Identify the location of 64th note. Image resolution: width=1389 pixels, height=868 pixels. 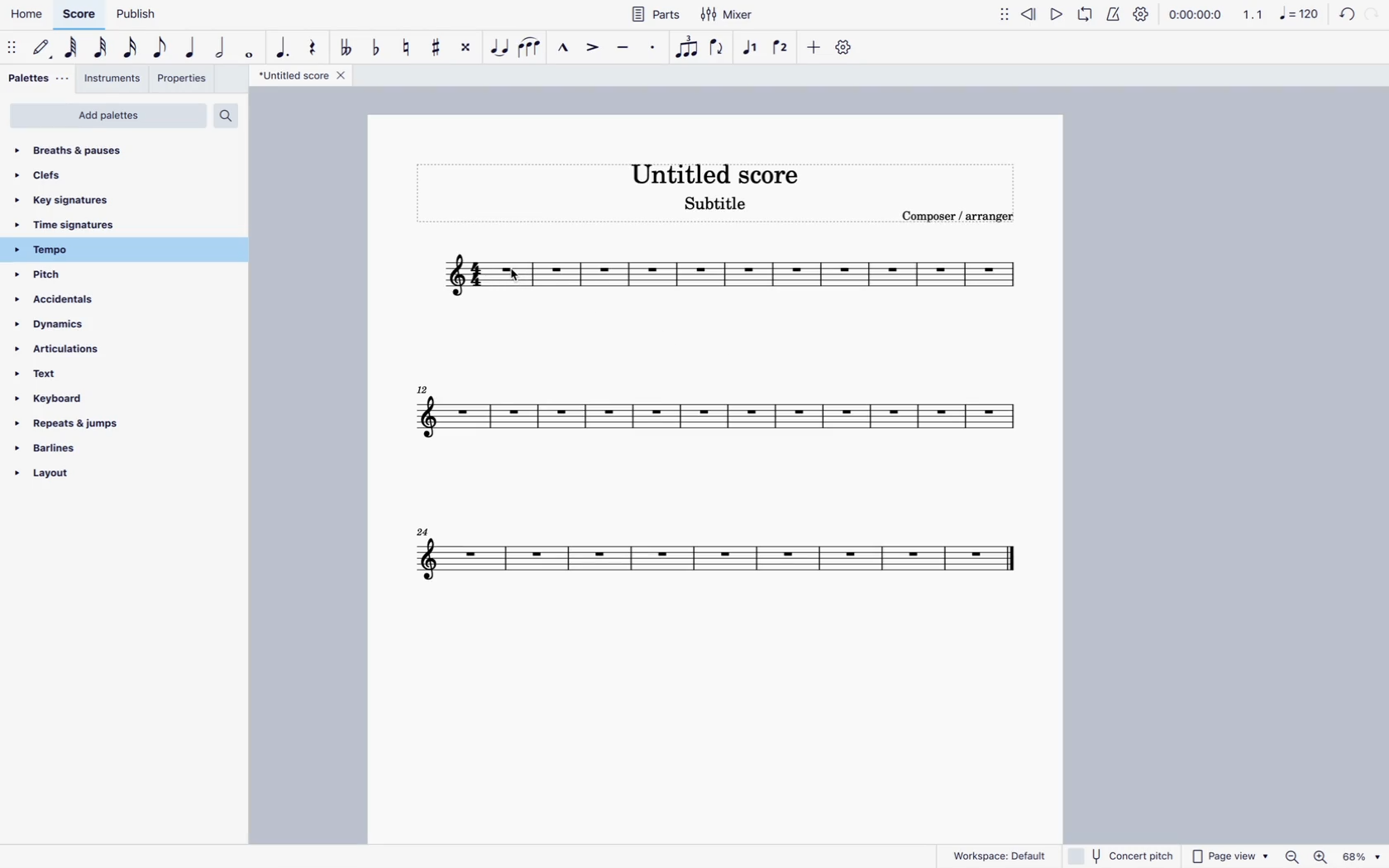
(74, 49).